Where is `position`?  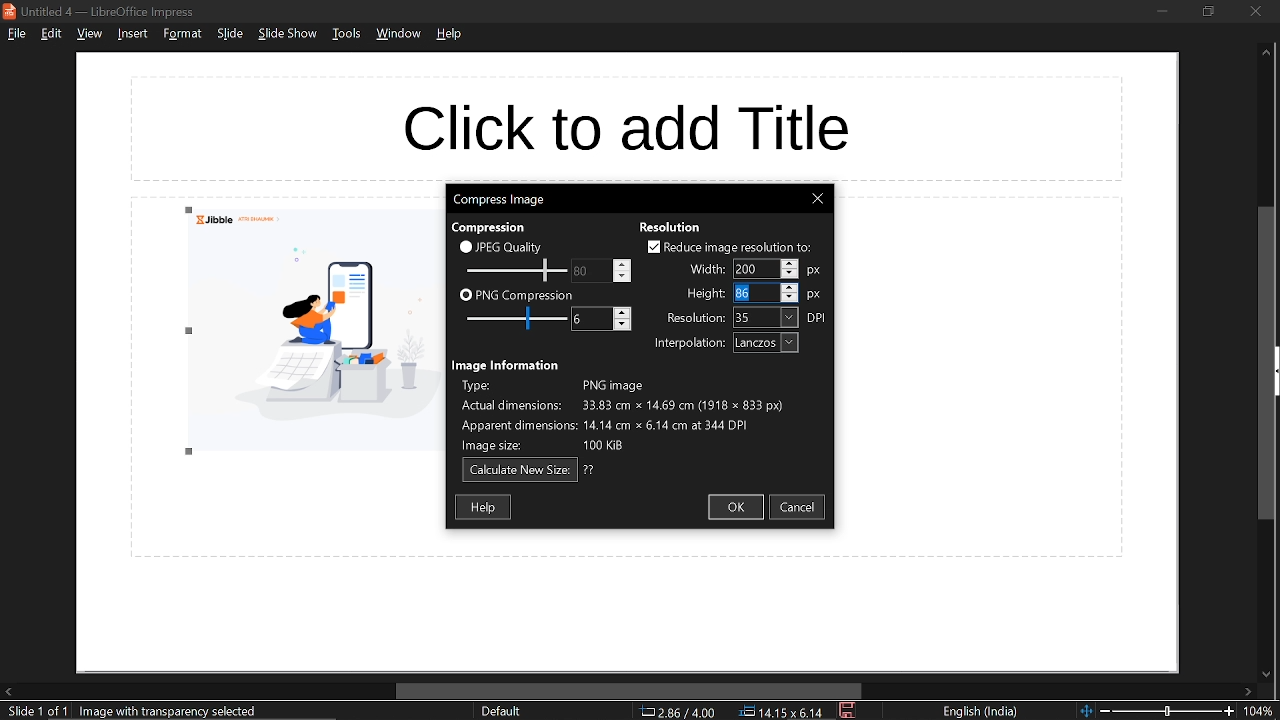 position is located at coordinates (781, 712).